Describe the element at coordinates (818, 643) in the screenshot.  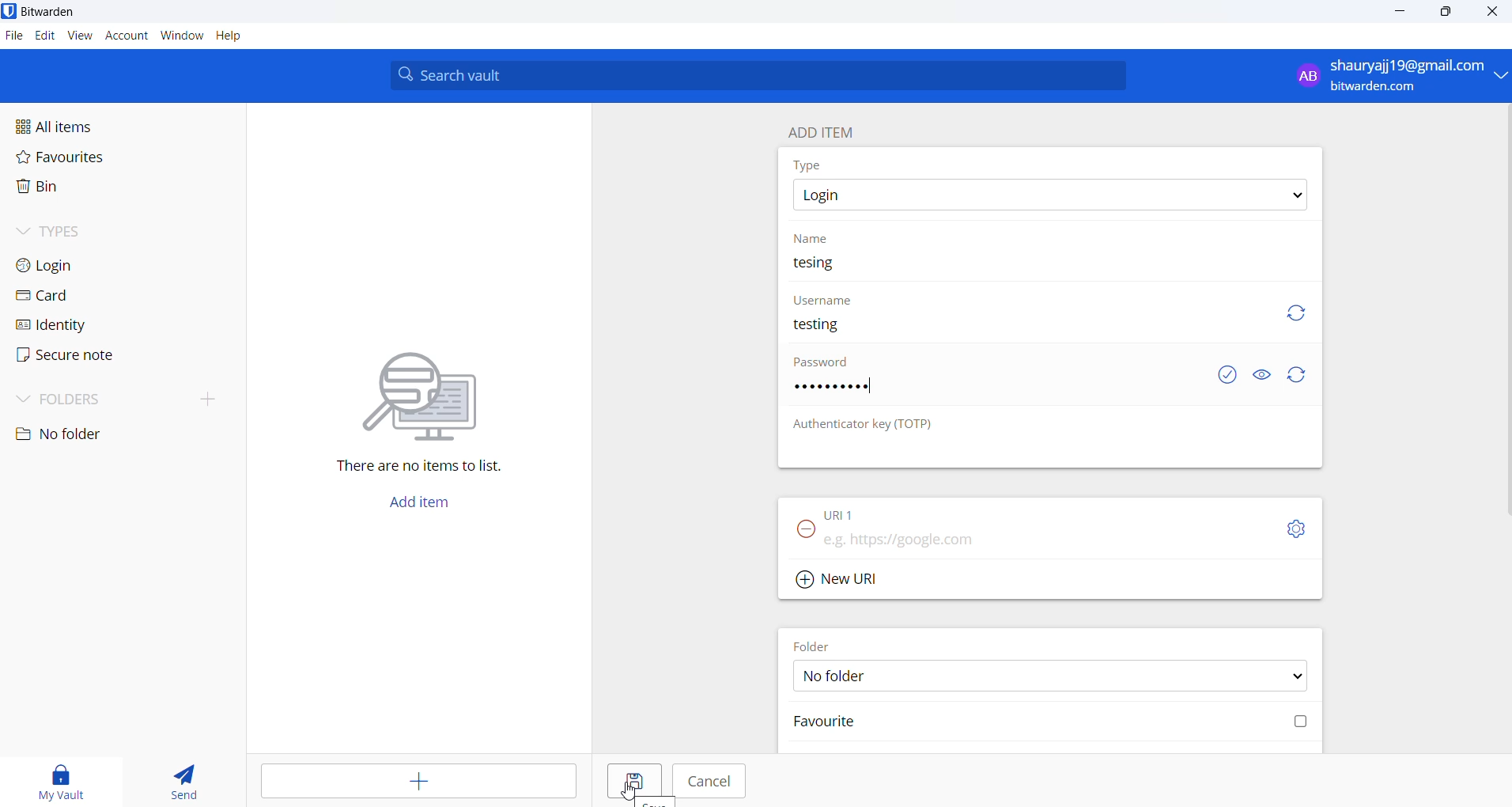
I see `Folder` at that location.